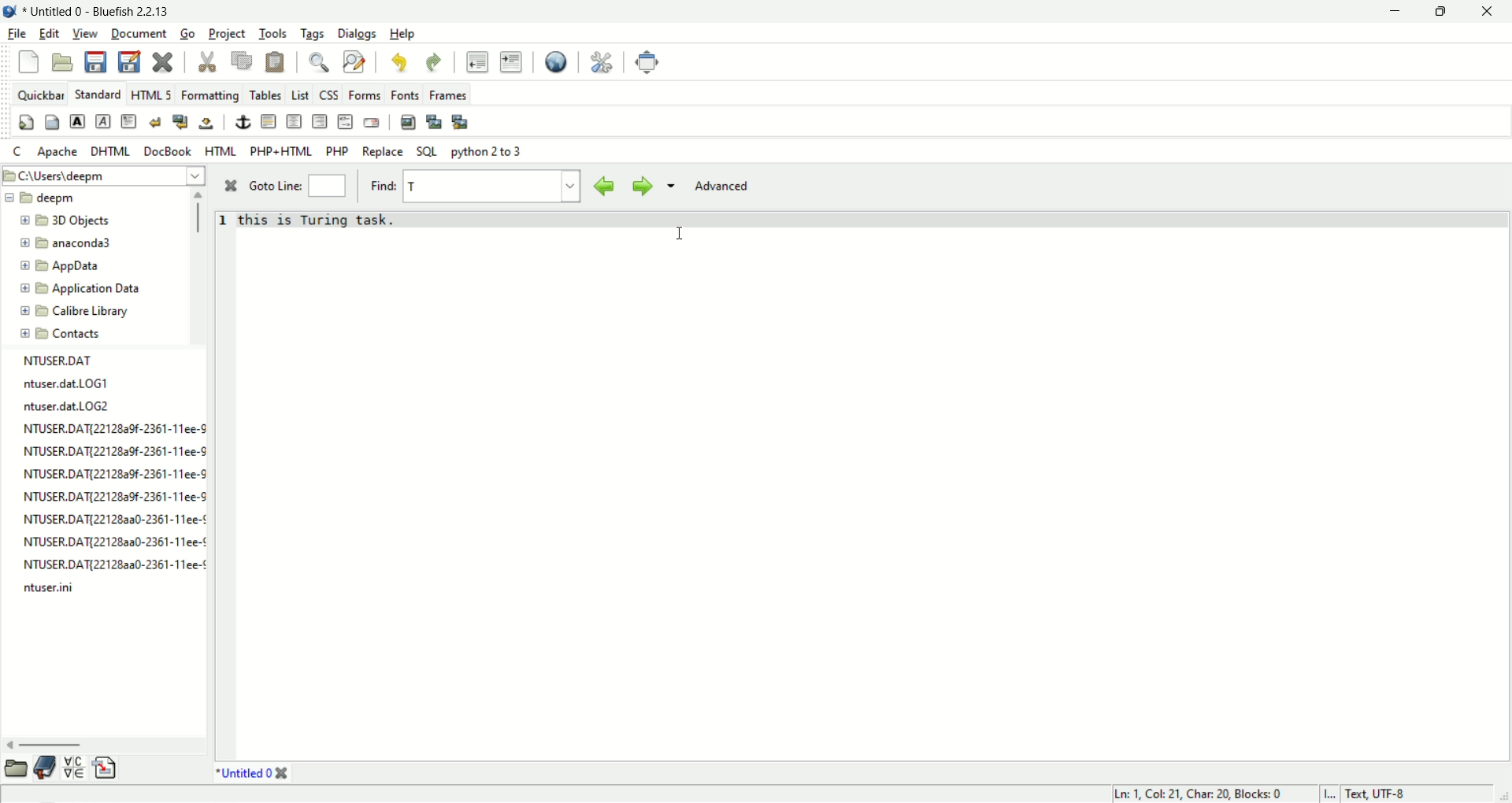 Image resolution: width=1512 pixels, height=803 pixels. Describe the element at coordinates (273, 34) in the screenshot. I see `tools` at that location.